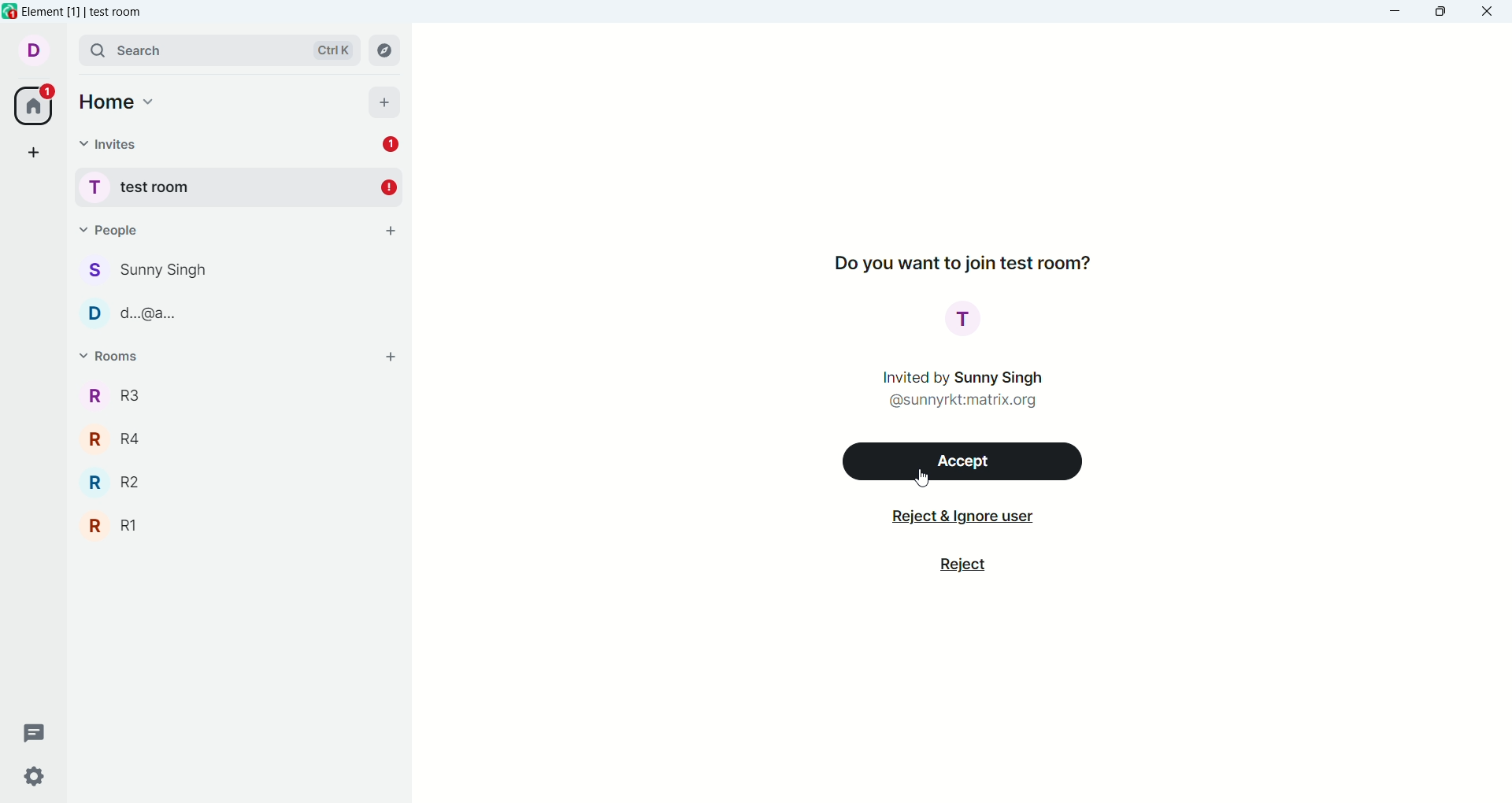 The height and width of the screenshot is (803, 1512). What do you see at coordinates (1440, 13) in the screenshot?
I see `maximize` at bounding box center [1440, 13].